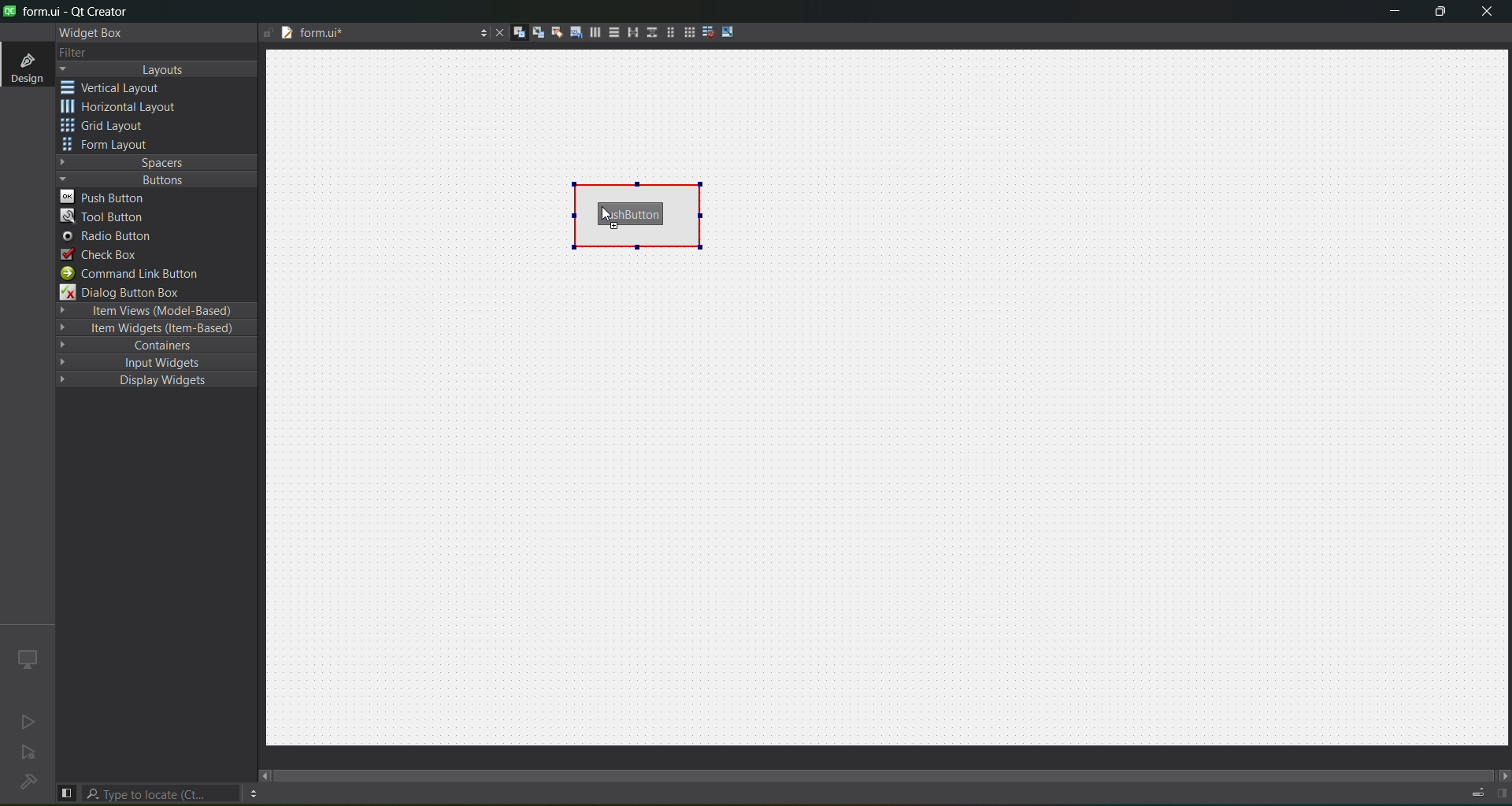  Describe the element at coordinates (124, 109) in the screenshot. I see `horizontal layout` at that location.